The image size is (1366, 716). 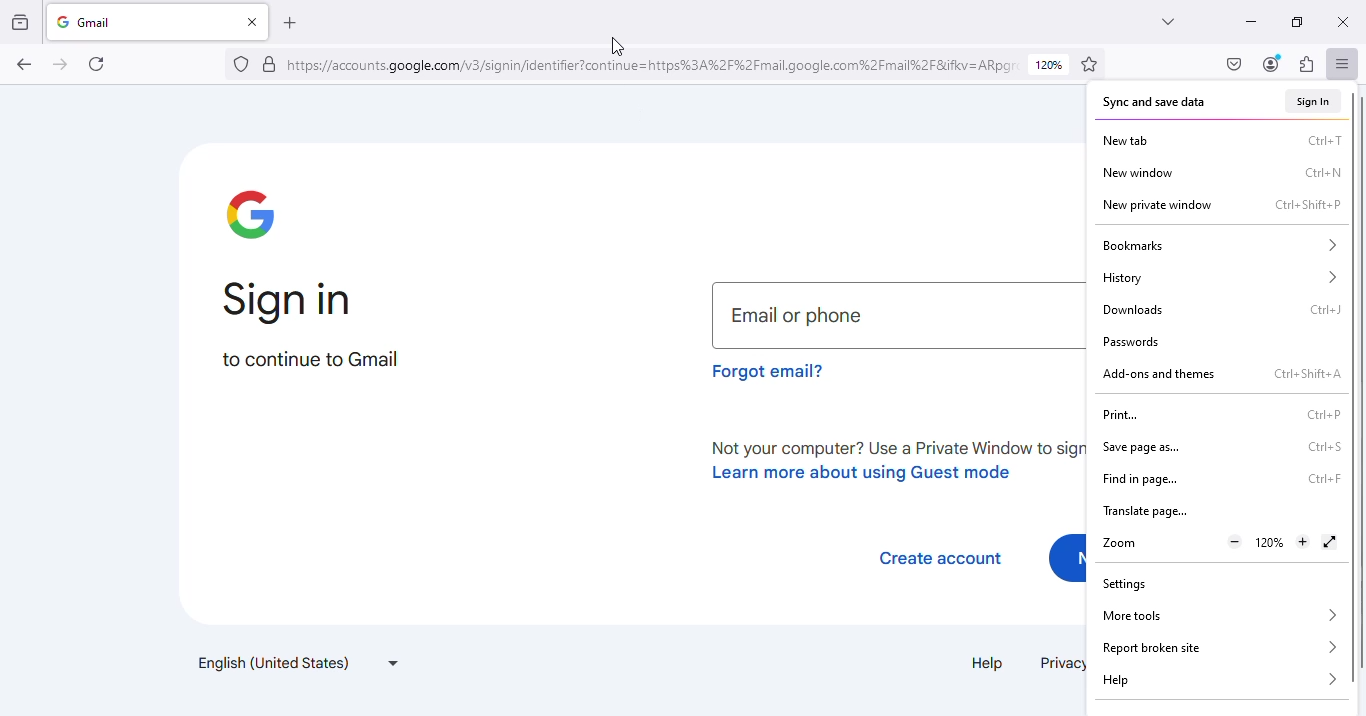 I want to click on email or phone, so click(x=899, y=316).